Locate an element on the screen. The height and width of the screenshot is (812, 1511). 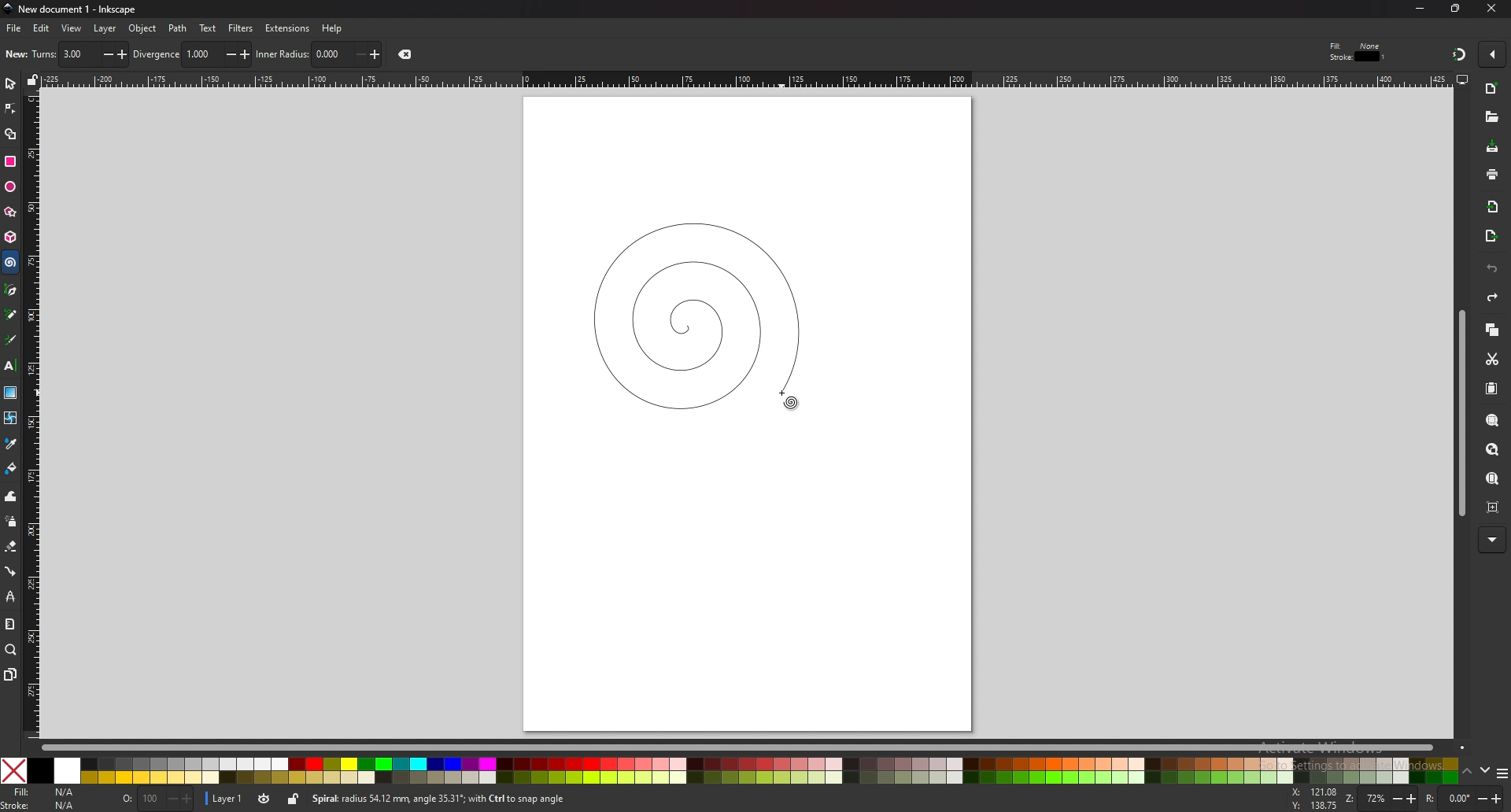
node is located at coordinates (10, 109).